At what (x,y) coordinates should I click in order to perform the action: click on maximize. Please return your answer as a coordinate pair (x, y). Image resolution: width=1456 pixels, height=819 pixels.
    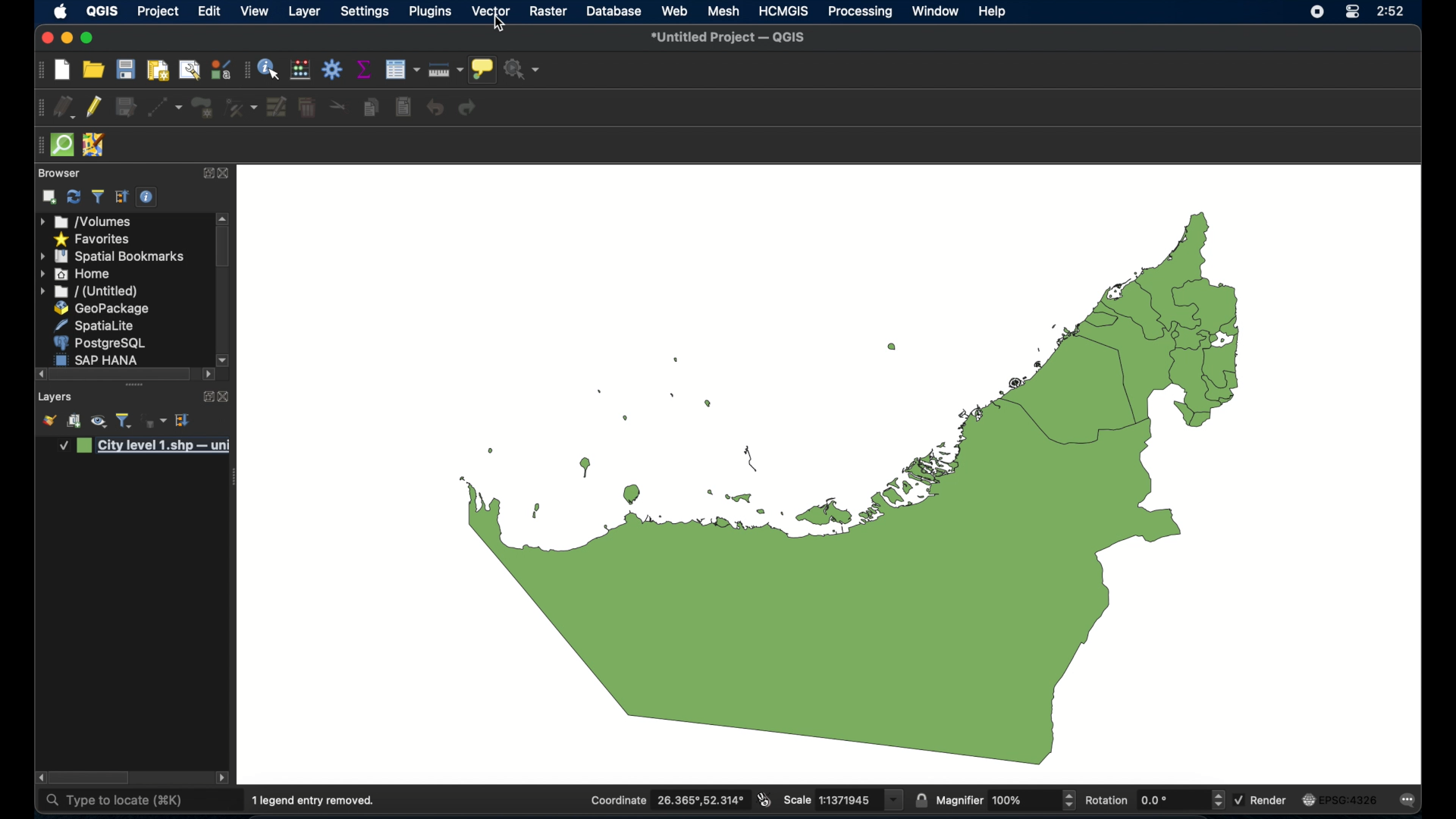
    Looking at the image, I should click on (45, 39).